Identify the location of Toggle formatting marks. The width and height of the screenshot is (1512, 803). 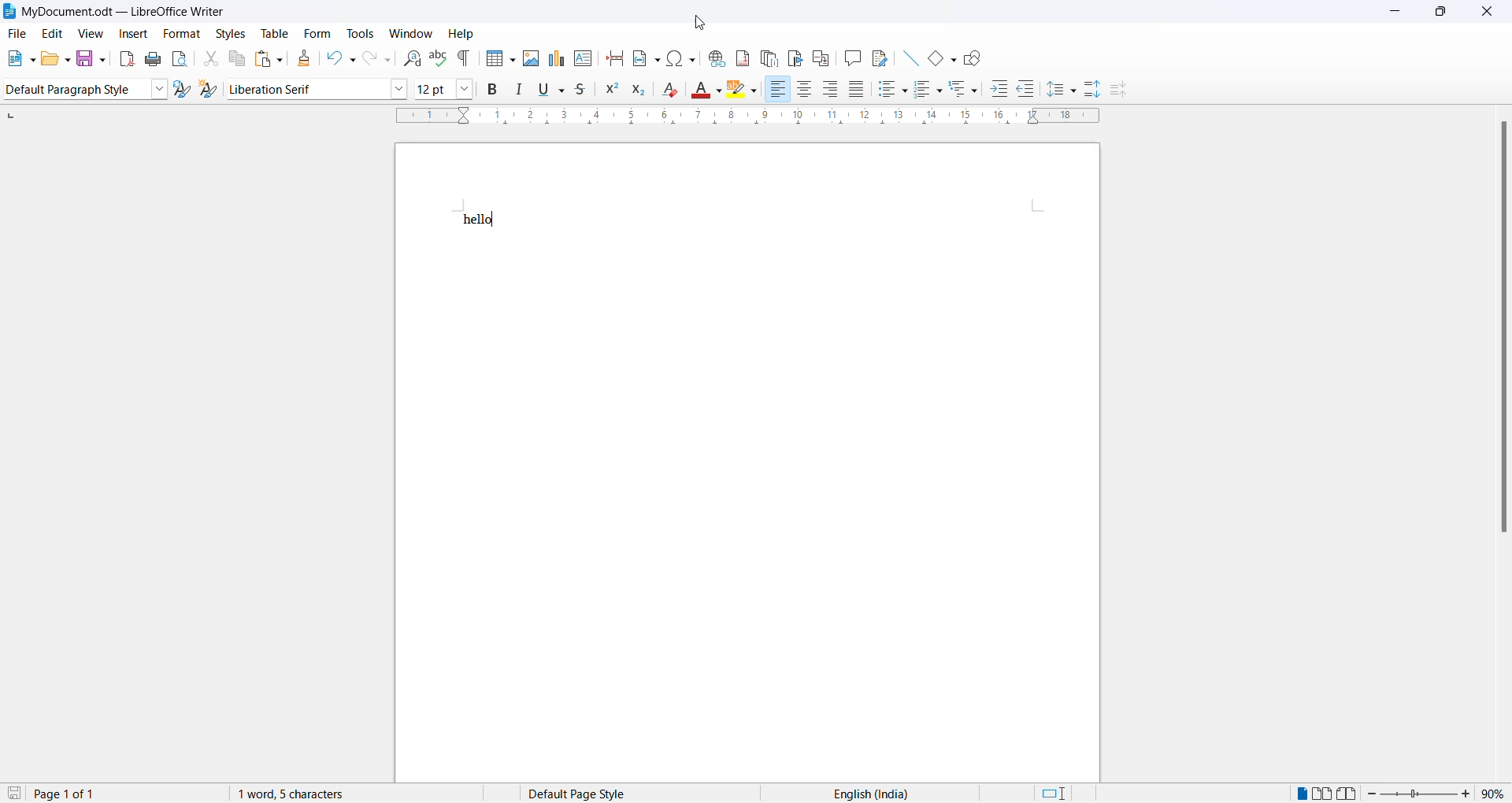
(466, 58).